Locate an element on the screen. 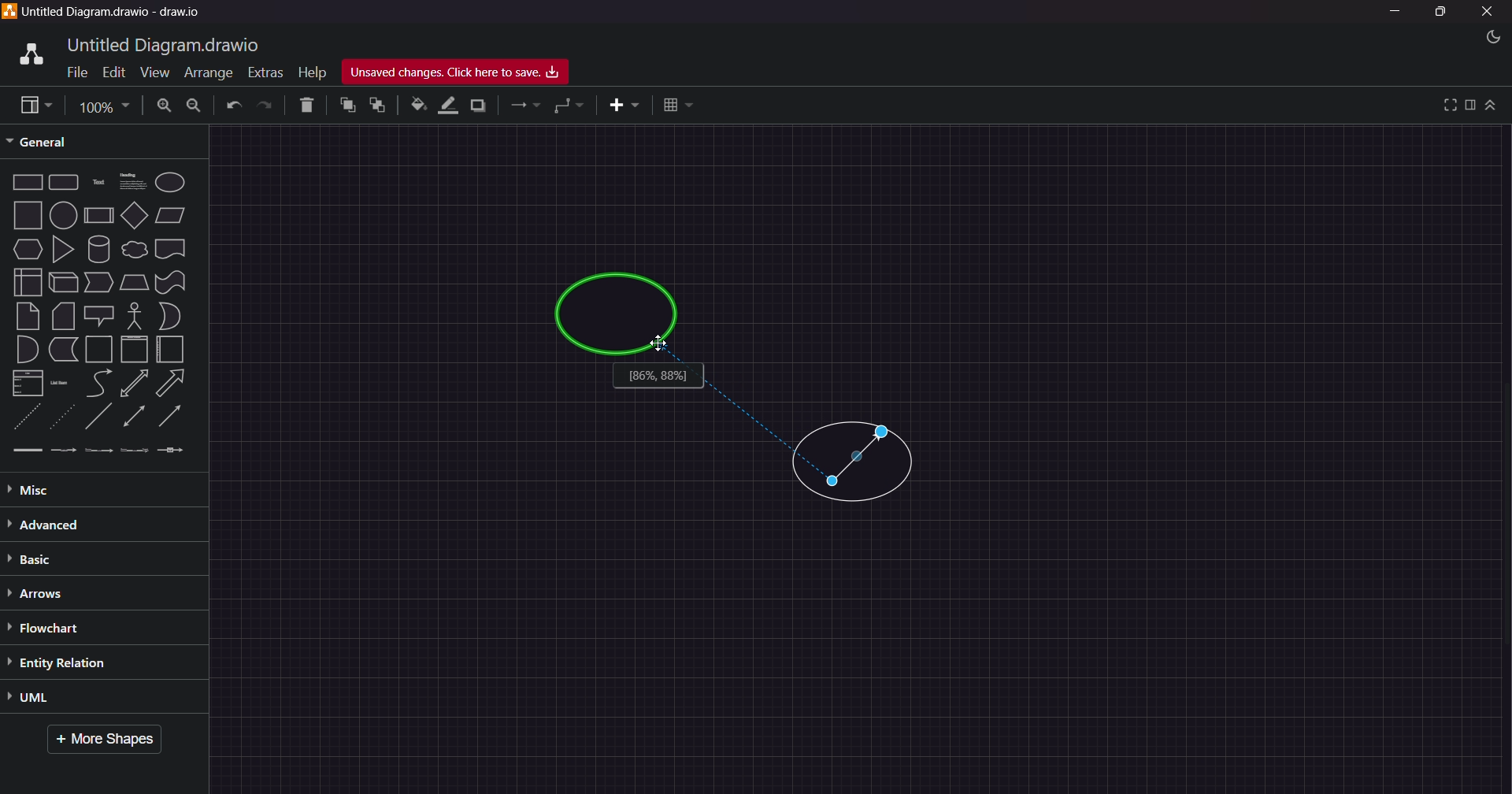  Night Mode is located at coordinates (1484, 37).